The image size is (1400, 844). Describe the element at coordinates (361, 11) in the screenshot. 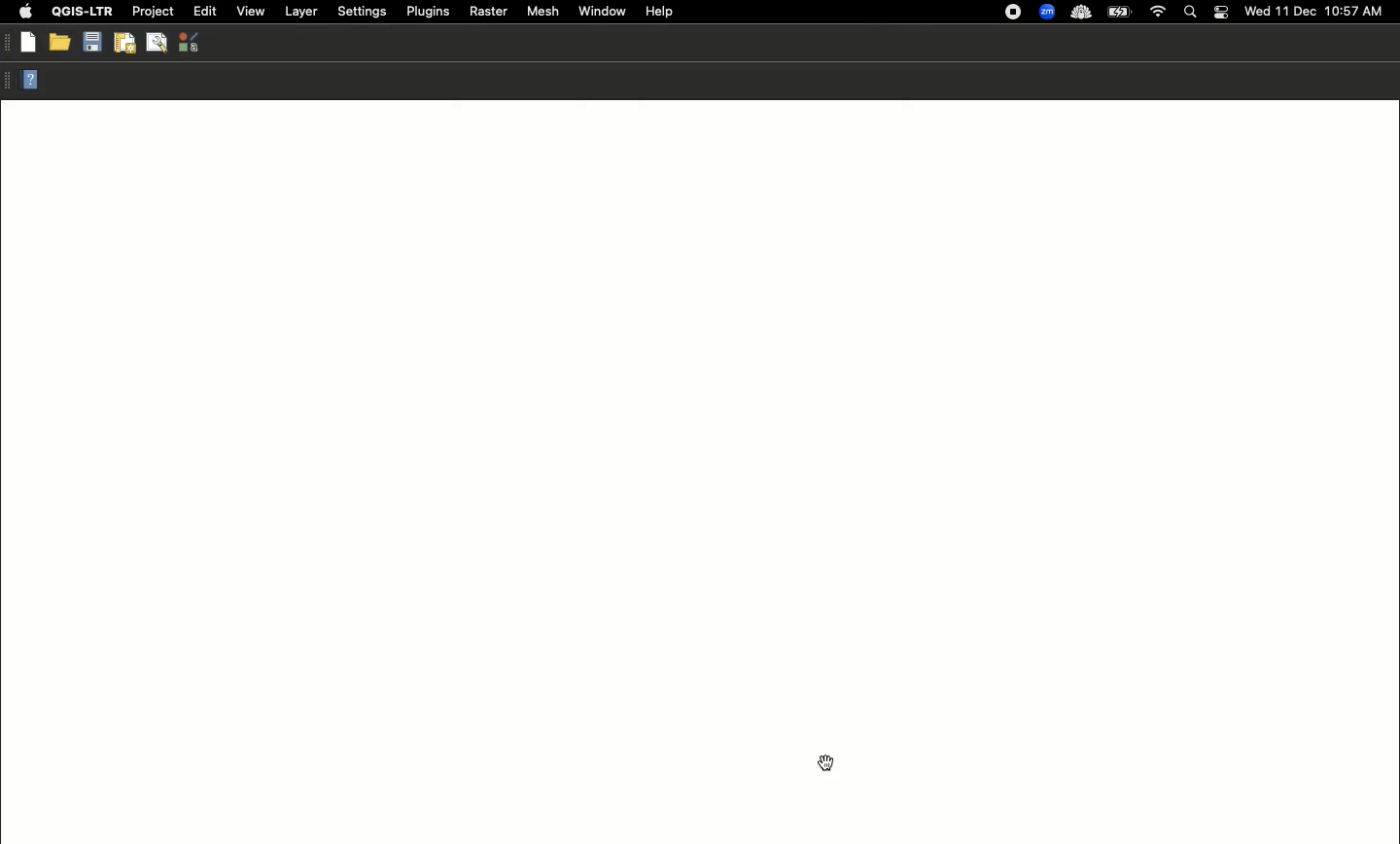

I see `Settings` at that location.